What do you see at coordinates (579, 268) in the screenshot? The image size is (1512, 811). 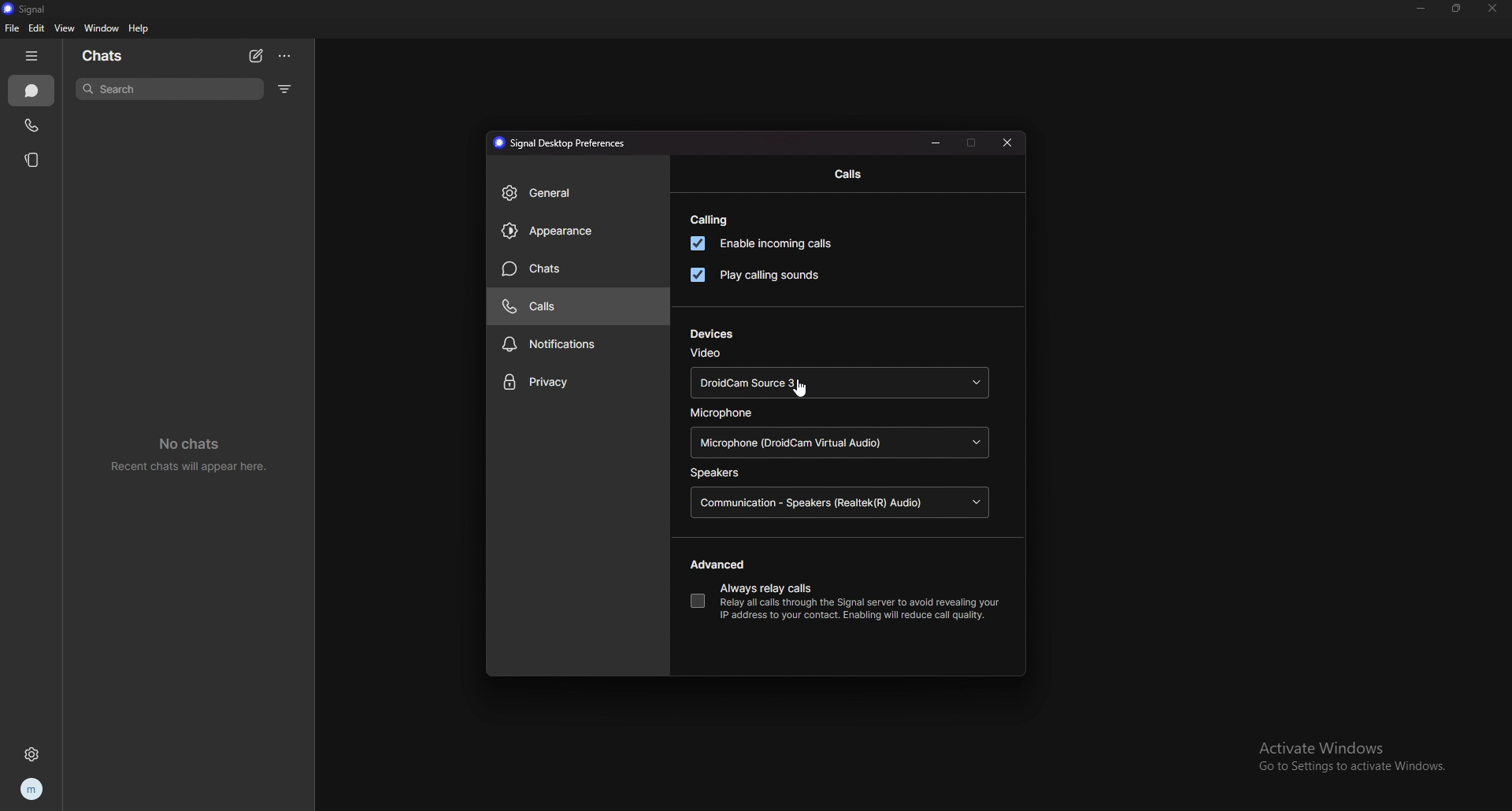 I see `chats` at bounding box center [579, 268].